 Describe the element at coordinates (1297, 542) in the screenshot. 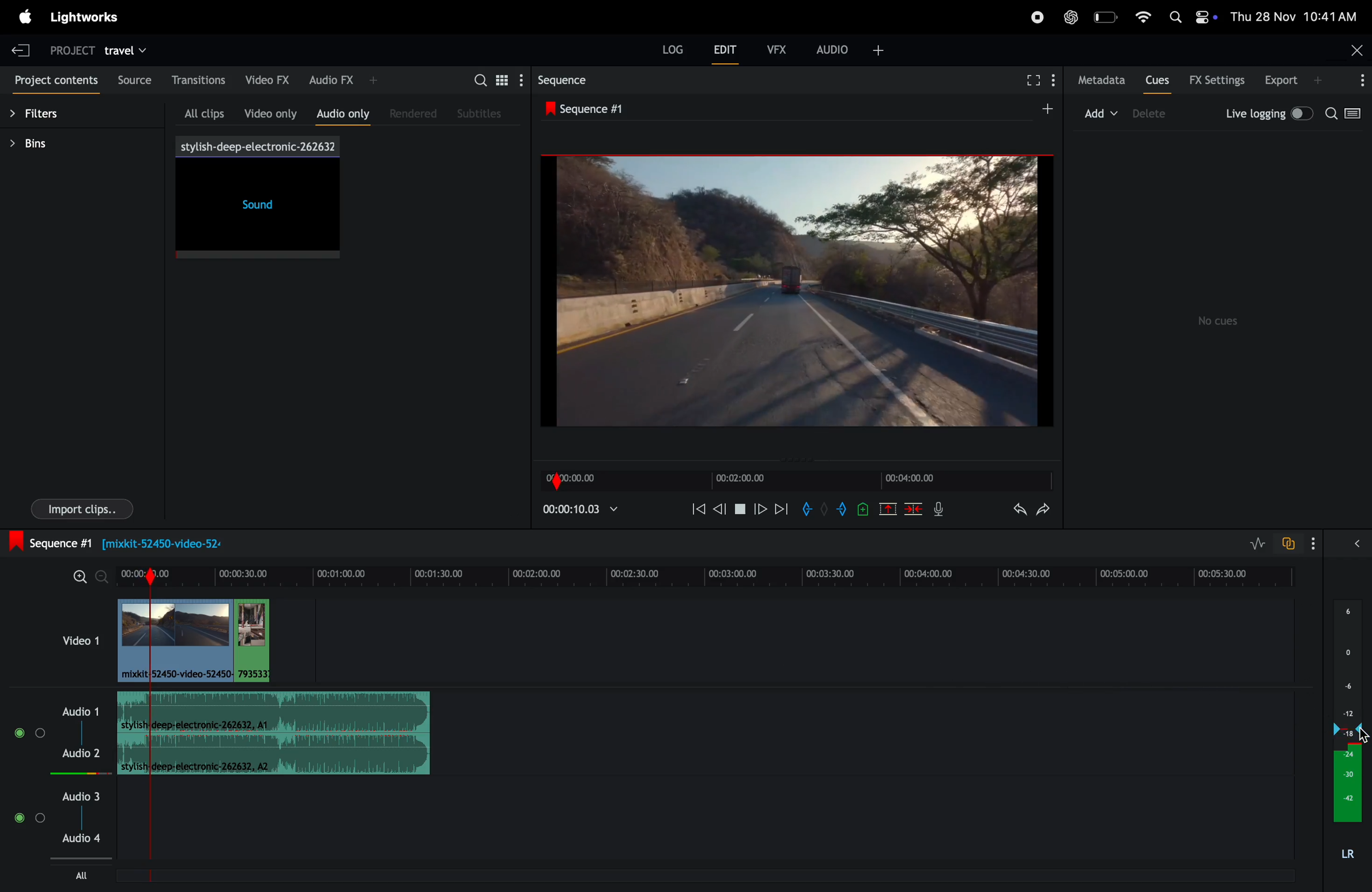

I see `toggle to auto track sync` at that location.